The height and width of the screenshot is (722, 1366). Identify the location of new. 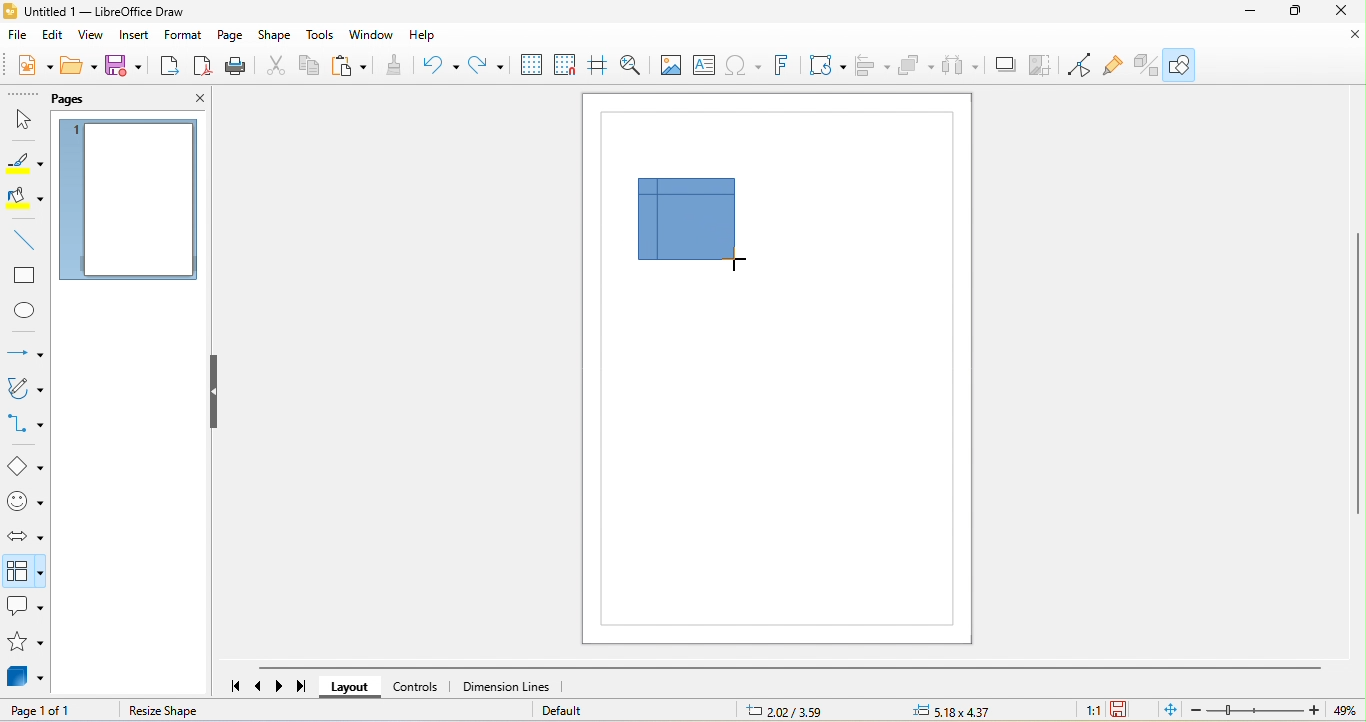
(35, 64).